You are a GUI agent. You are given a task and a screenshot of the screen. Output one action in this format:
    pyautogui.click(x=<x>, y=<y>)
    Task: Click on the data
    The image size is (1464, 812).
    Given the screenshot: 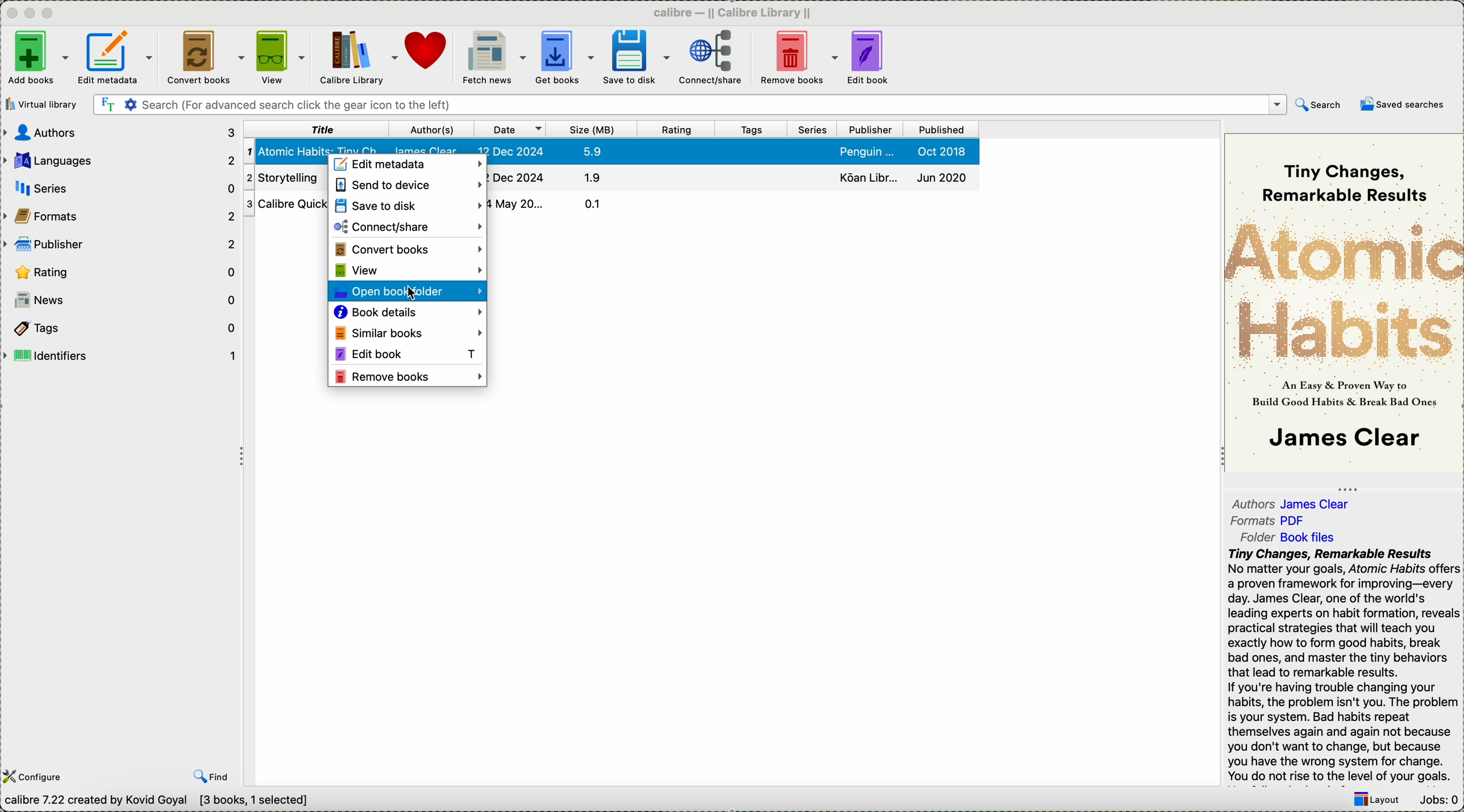 What is the action you would take?
    pyautogui.click(x=162, y=802)
    